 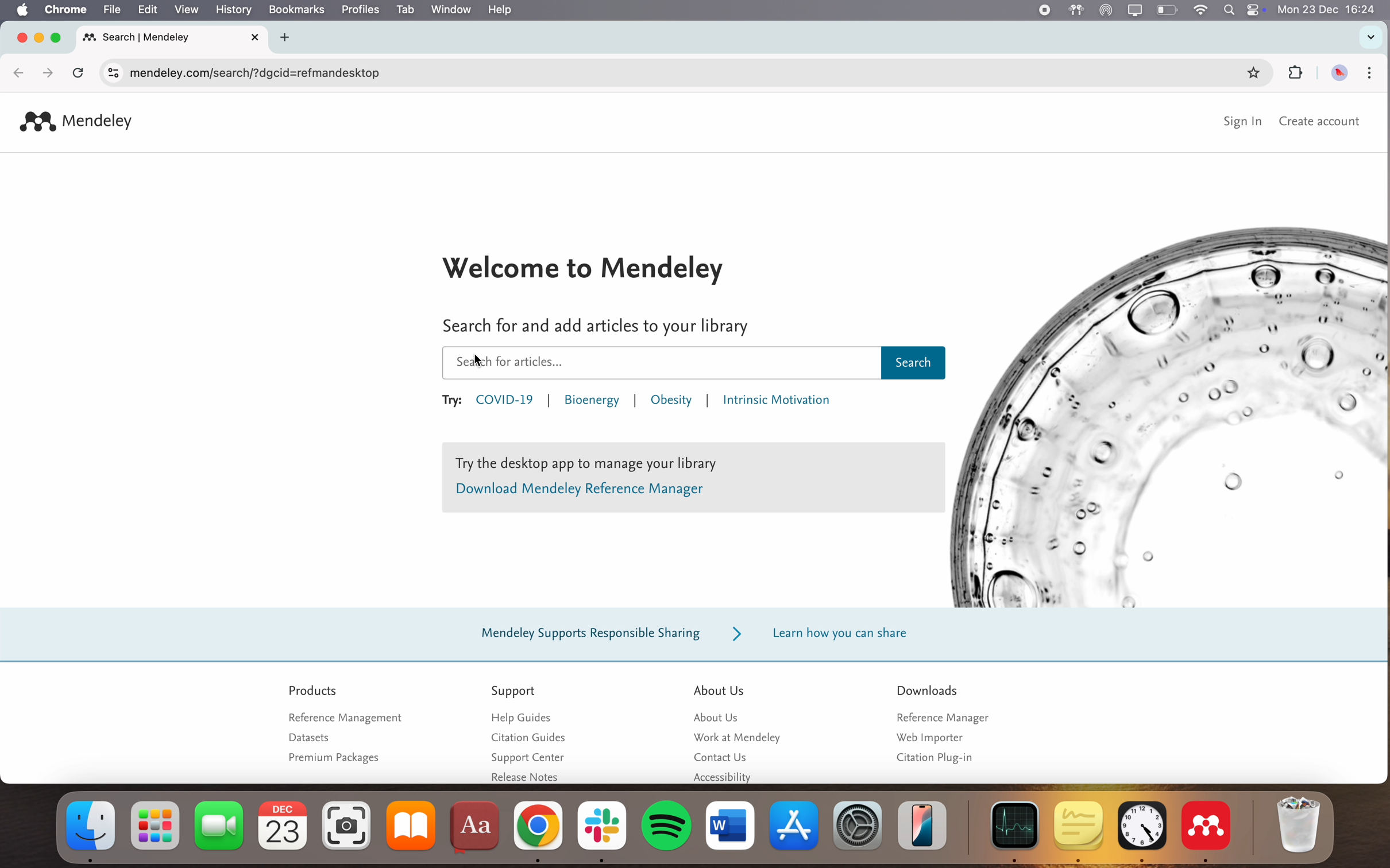 I want to click on launchpad, so click(x=156, y=826).